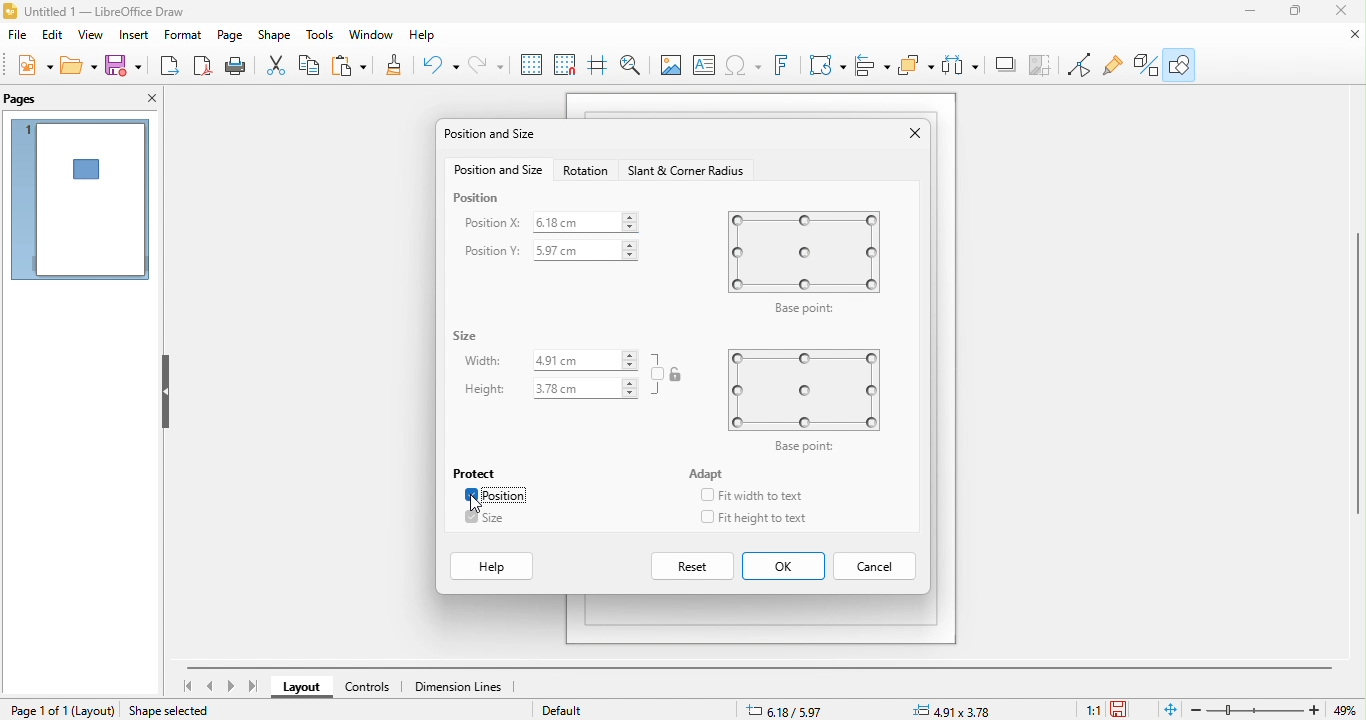  I want to click on pages, so click(35, 99).